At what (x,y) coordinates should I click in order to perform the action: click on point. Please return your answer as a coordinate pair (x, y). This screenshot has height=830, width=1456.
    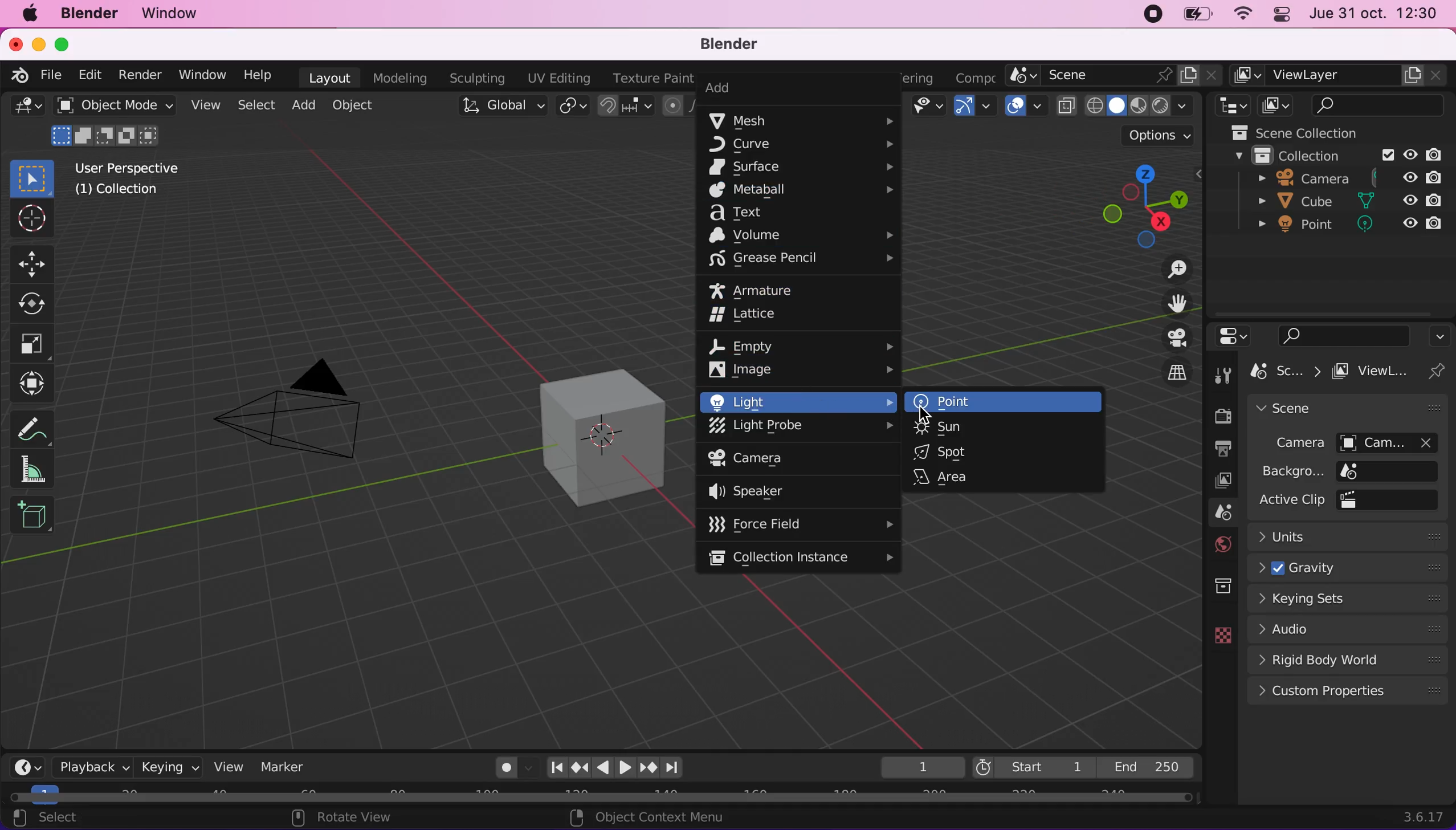
    Looking at the image, I should click on (1299, 227).